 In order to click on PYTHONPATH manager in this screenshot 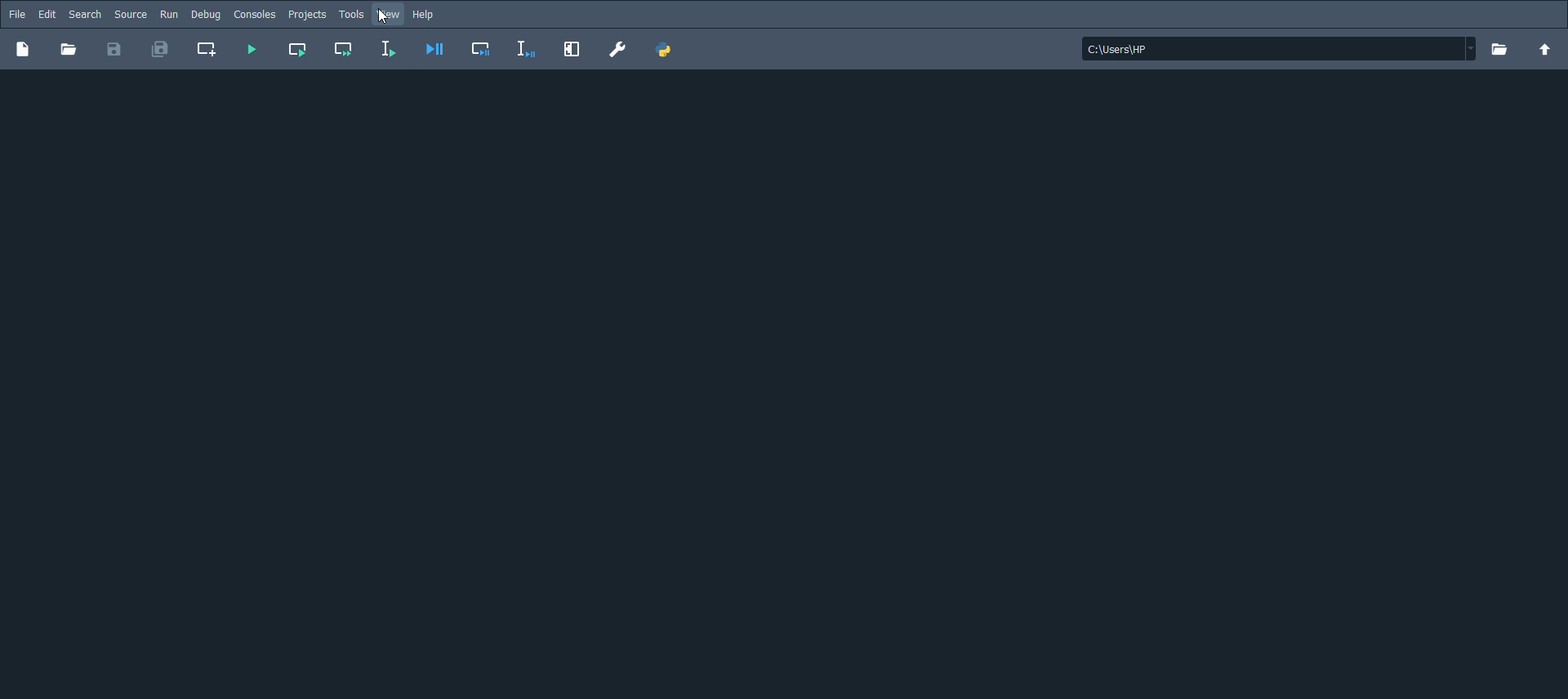, I will do `click(668, 51)`.